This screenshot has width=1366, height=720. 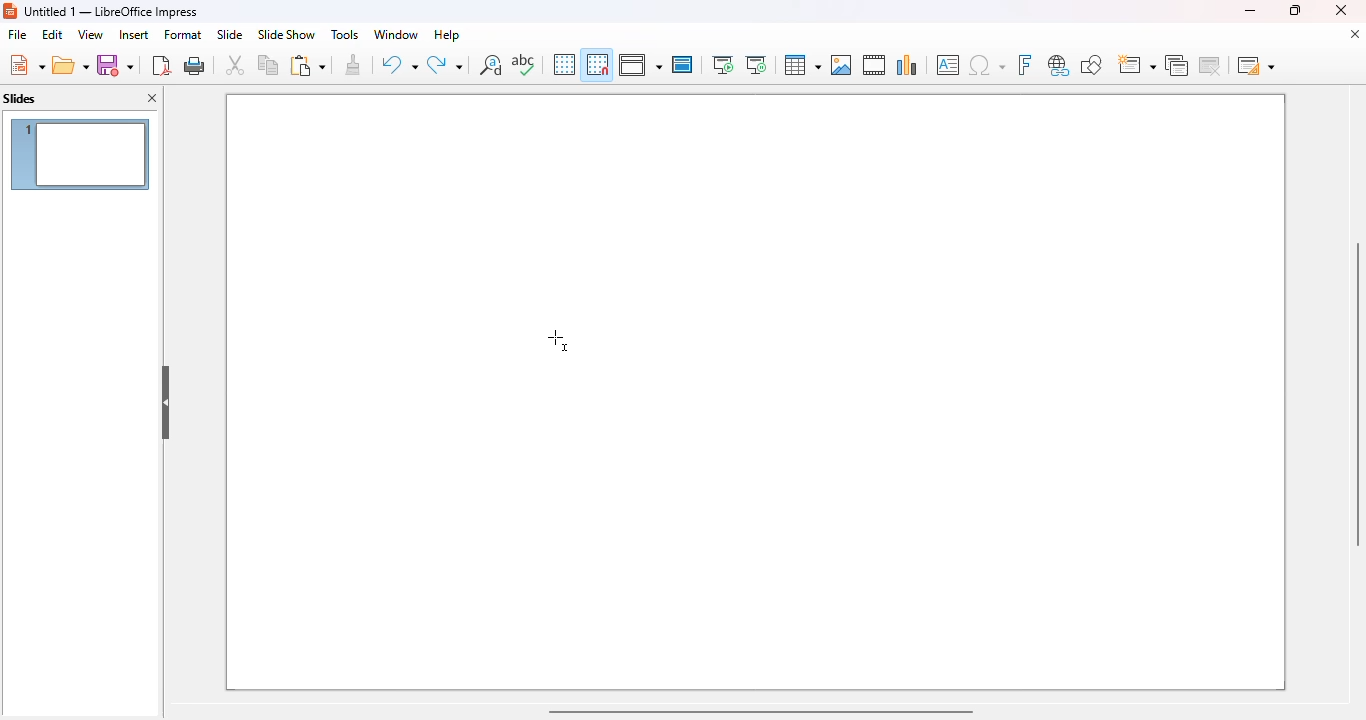 I want to click on close document, so click(x=1354, y=34).